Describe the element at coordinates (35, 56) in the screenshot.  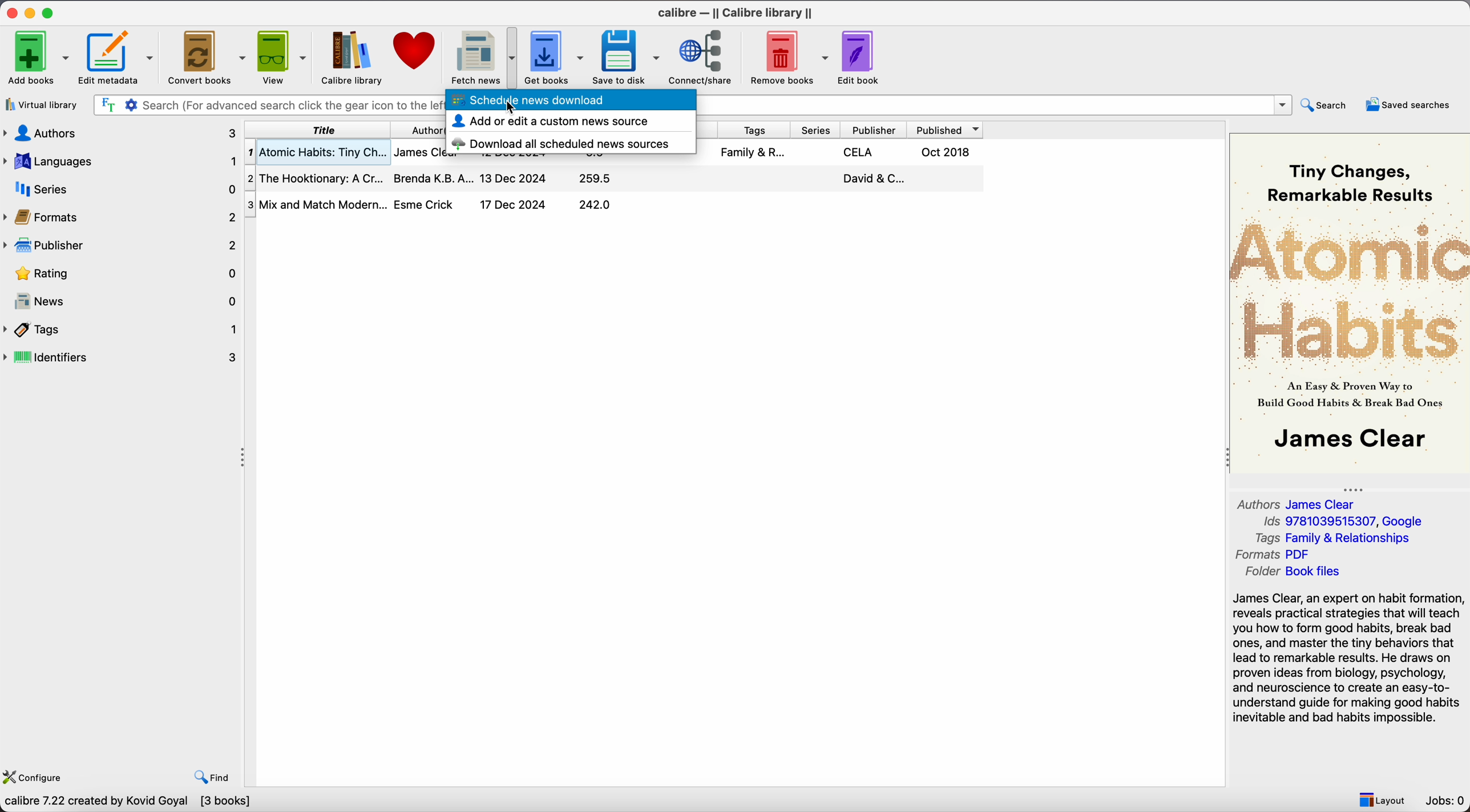
I see `add books` at that location.